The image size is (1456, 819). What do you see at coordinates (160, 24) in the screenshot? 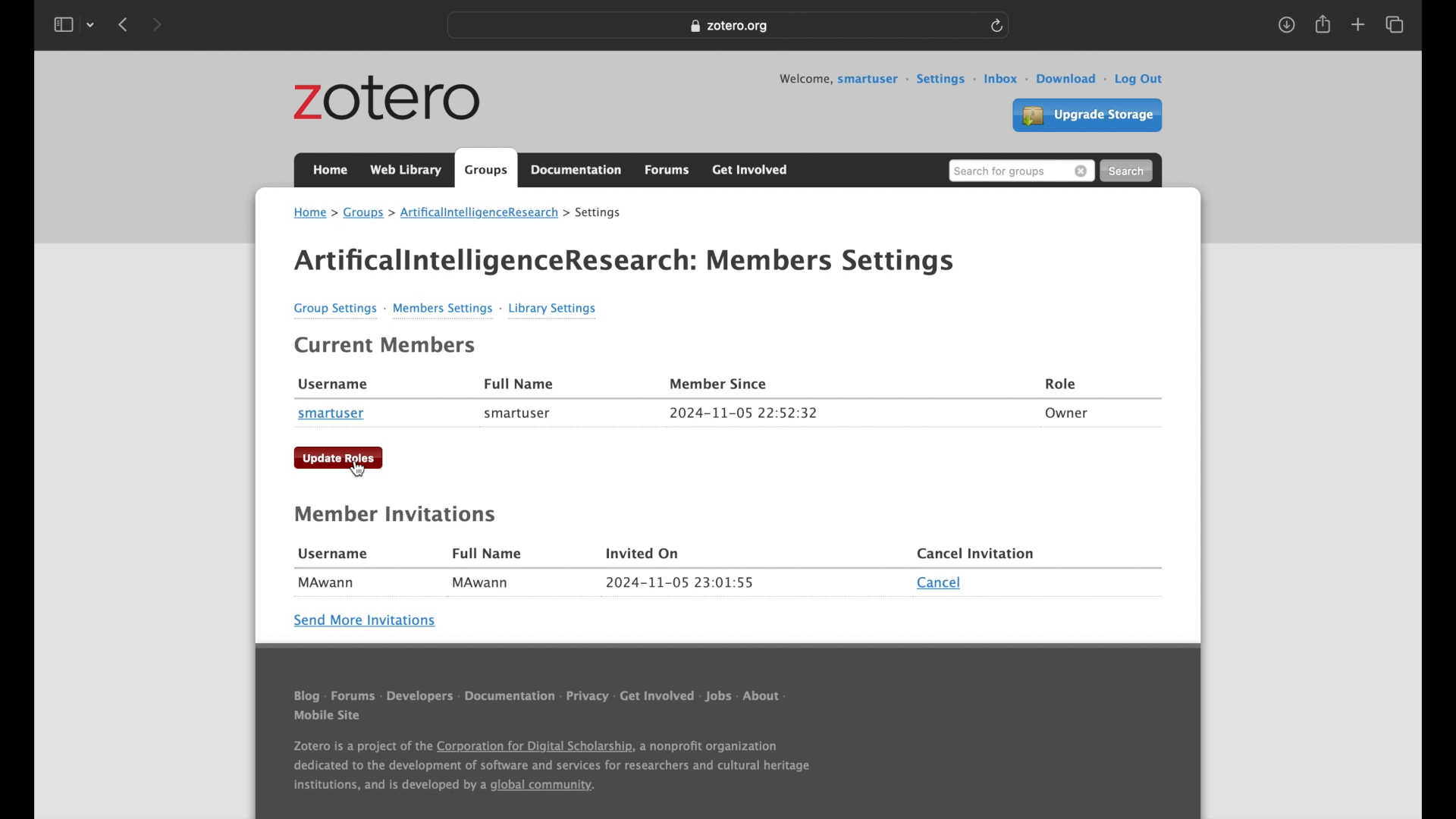
I see `next ` at bounding box center [160, 24].